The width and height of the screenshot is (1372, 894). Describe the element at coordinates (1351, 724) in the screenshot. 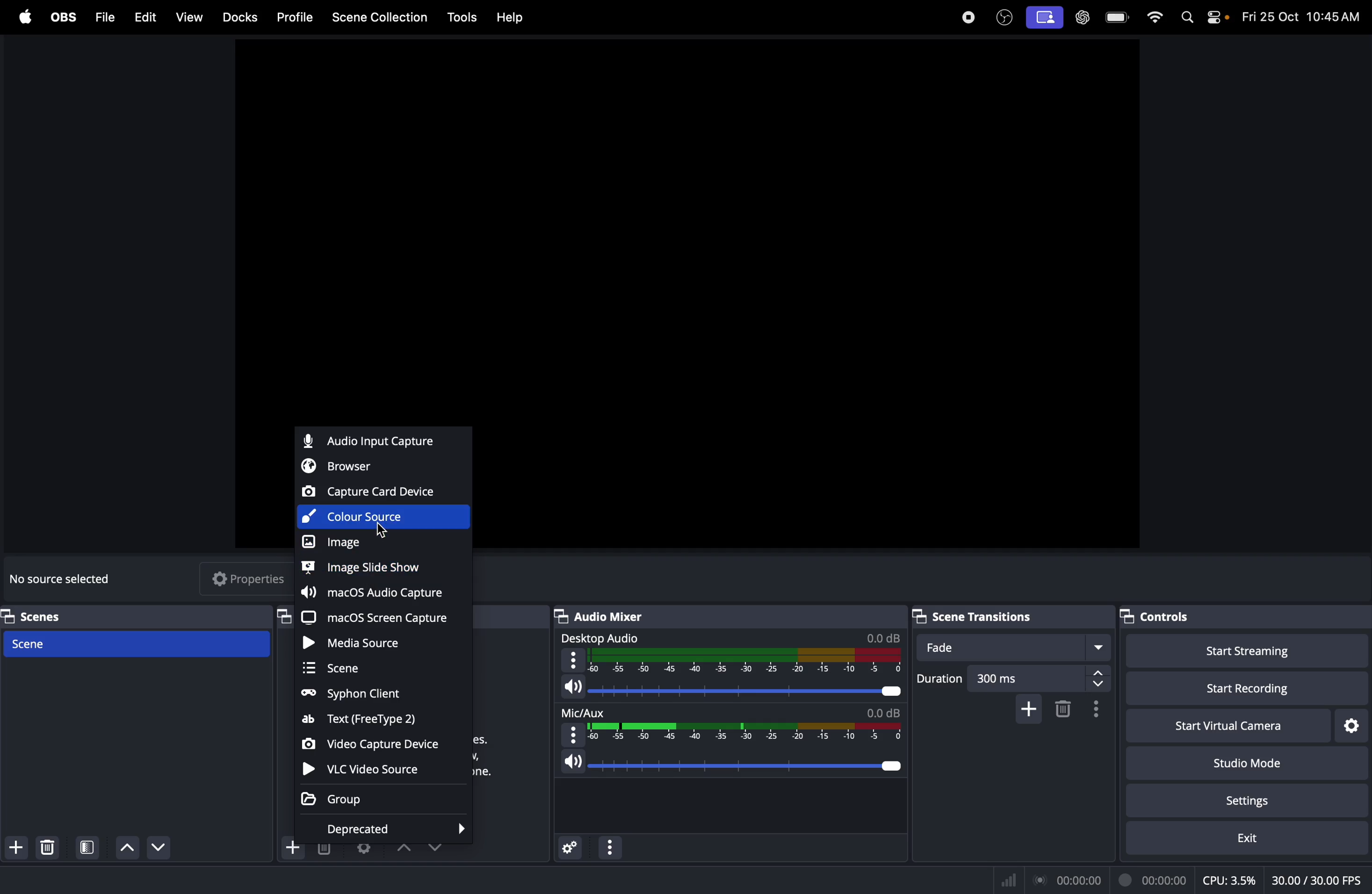

I see `virtual camera settings` at that location.